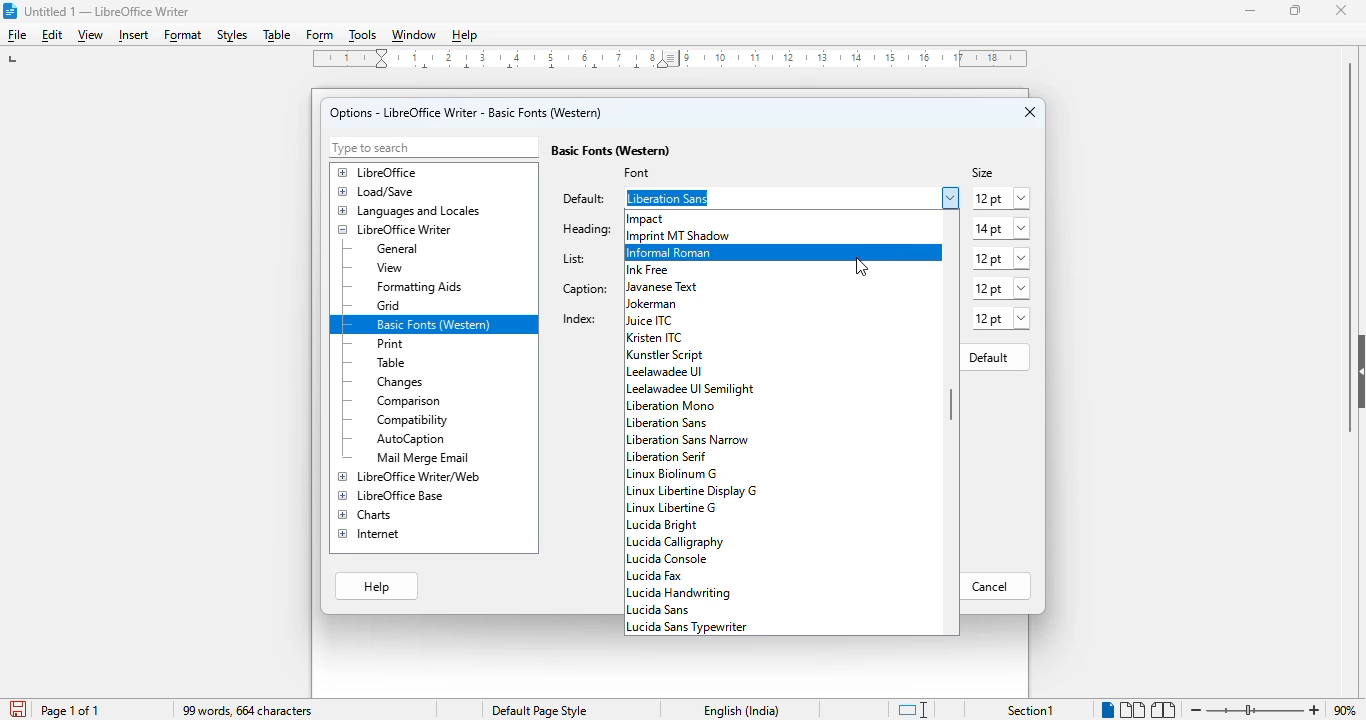 This screenshot has width=1366, height=720. I want to click on center tab, so click(513, 71).